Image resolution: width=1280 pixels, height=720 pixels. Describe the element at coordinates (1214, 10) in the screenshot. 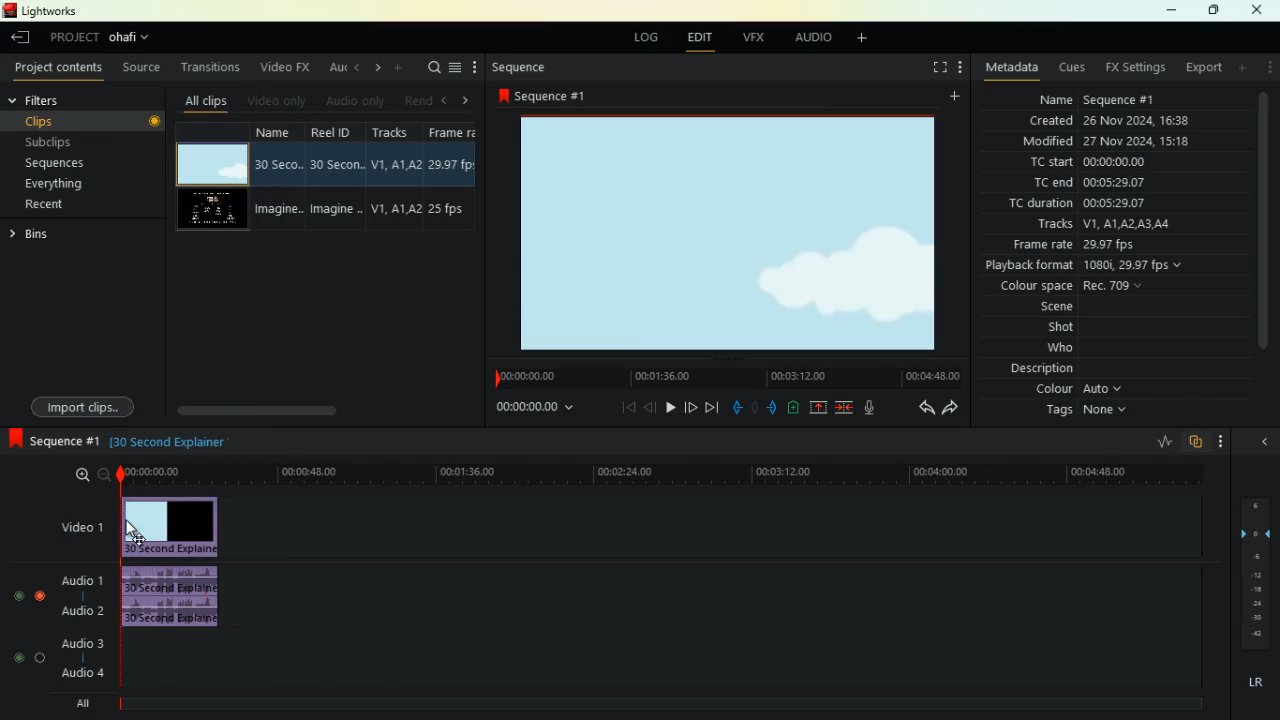

I see `maximize` at that location.